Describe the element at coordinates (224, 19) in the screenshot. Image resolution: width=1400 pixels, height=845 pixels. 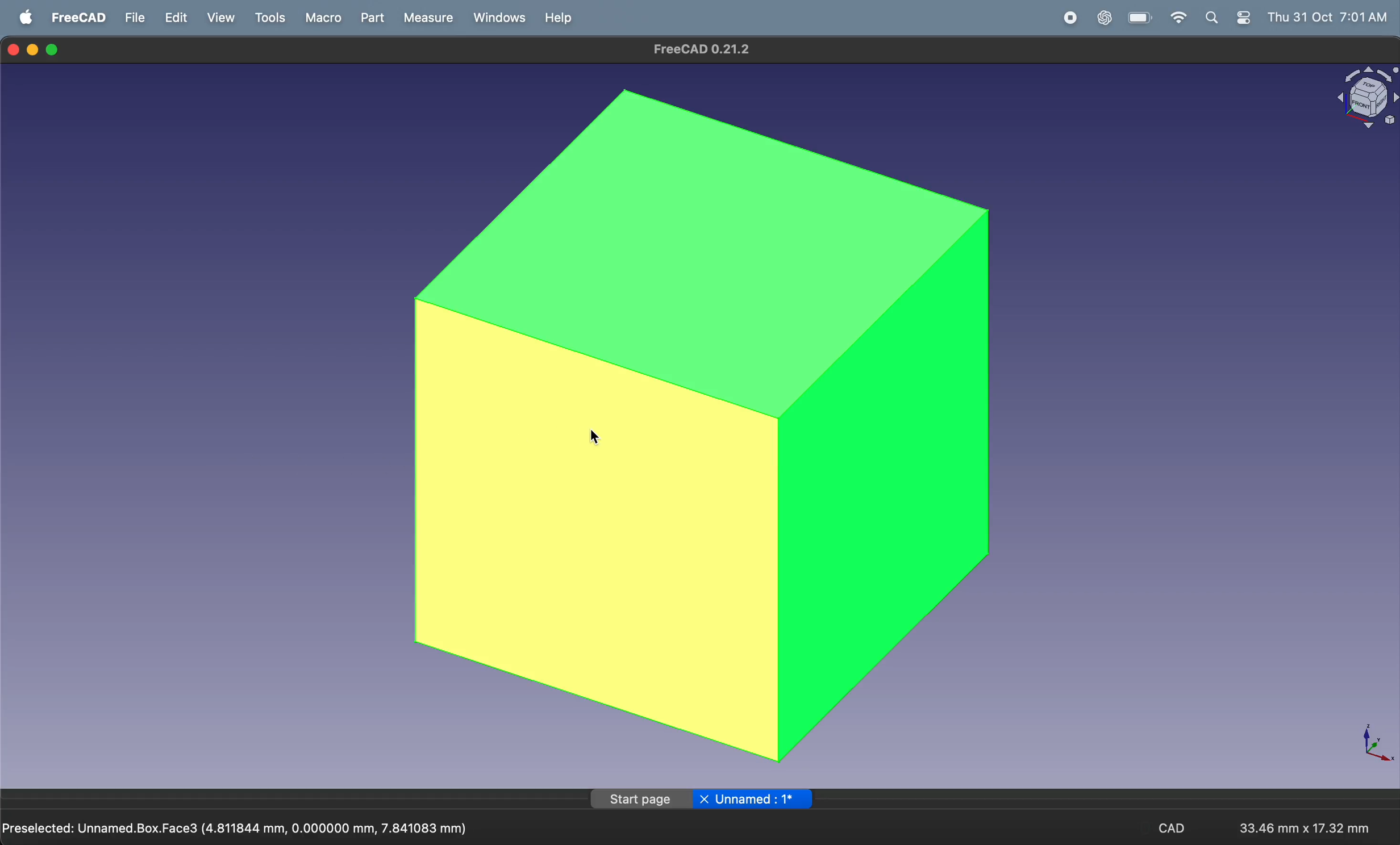
I see `view` at that location.